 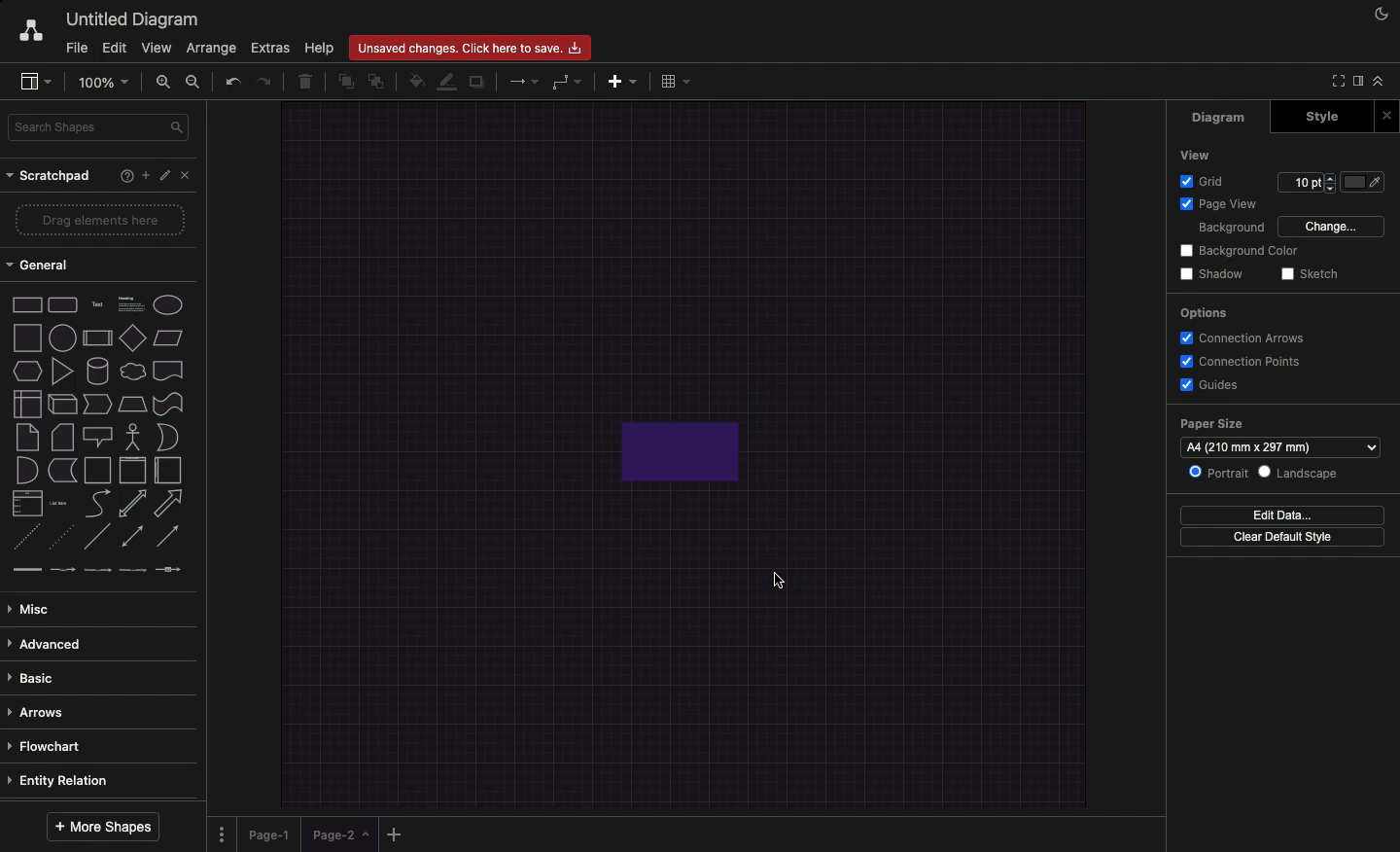 I want to click on Portrait , so click(x=1214, y=471).